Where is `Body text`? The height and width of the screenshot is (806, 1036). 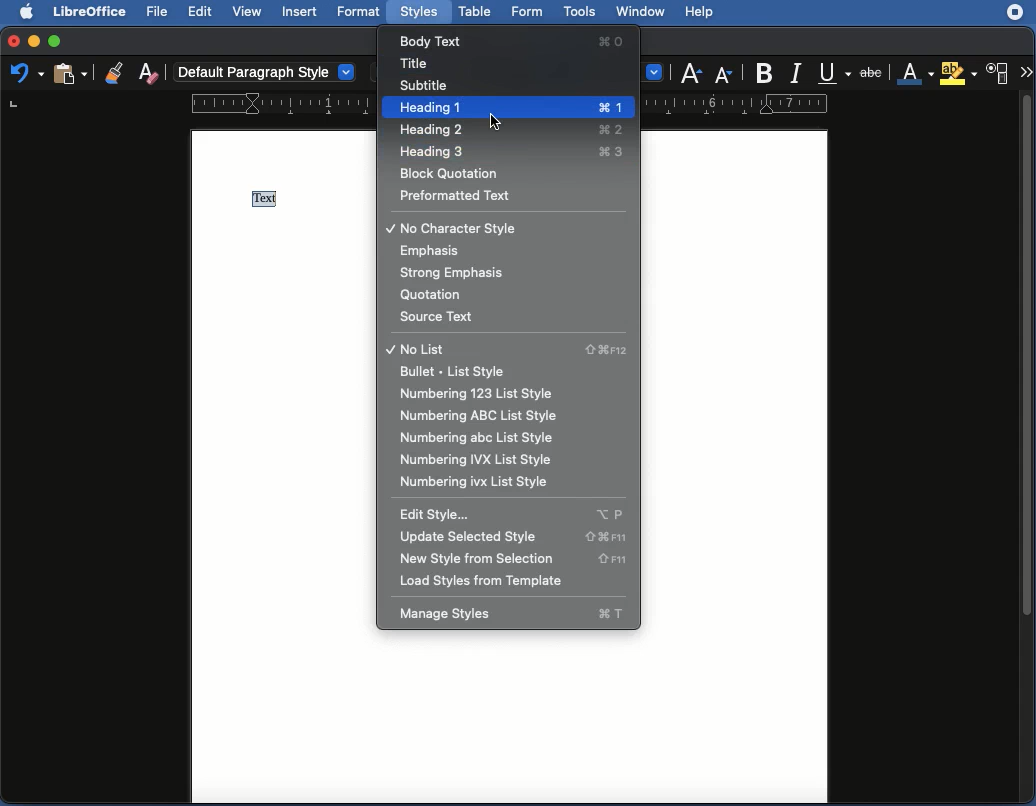
Body text is located at coordinates (517, 39).